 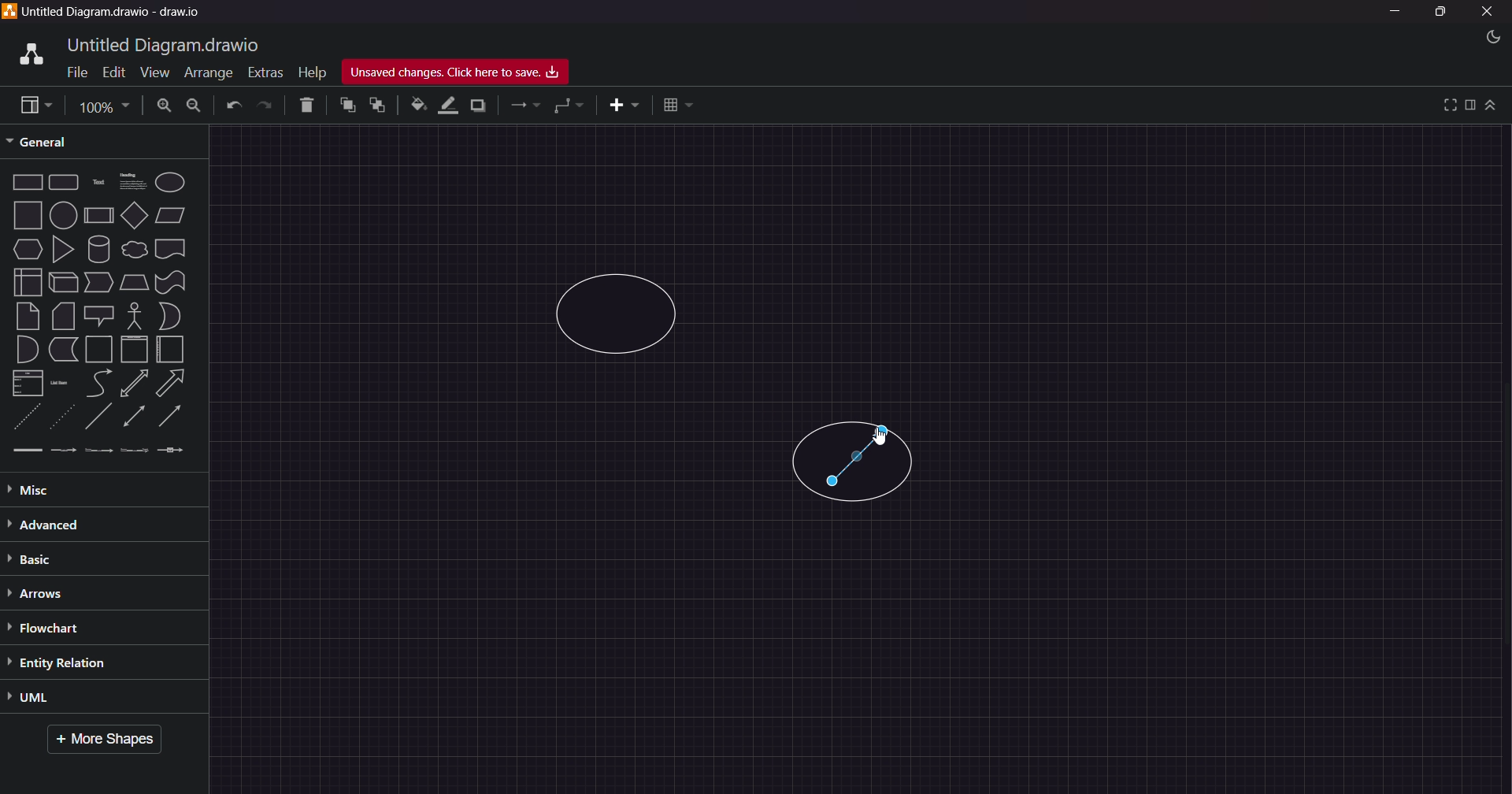 What do you see at coordinates (43, 559) in the screenshot?
I see `Basic` at bounding box center [43, 559].